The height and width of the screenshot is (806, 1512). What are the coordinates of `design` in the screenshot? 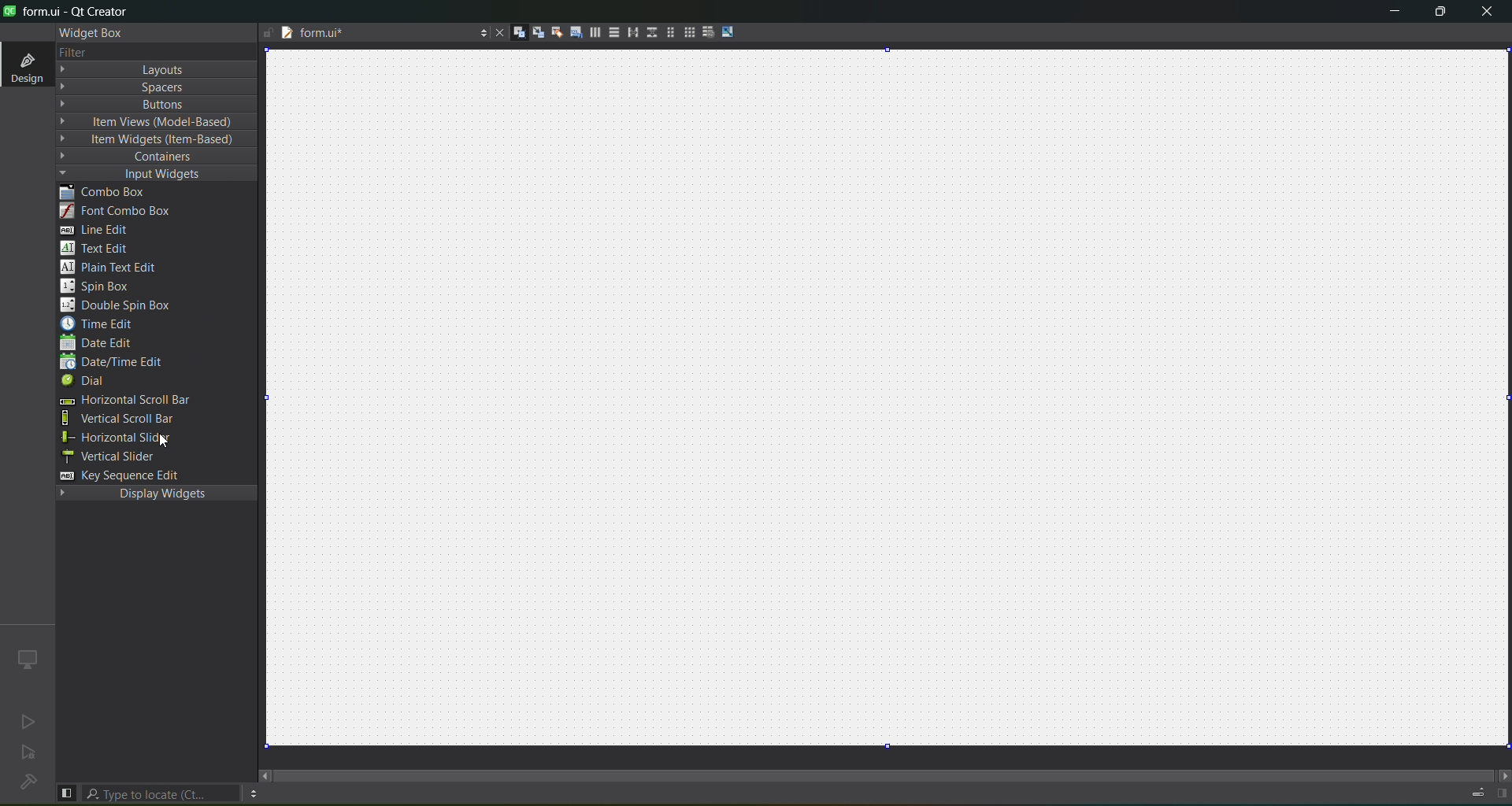 It's located at (23, 65).